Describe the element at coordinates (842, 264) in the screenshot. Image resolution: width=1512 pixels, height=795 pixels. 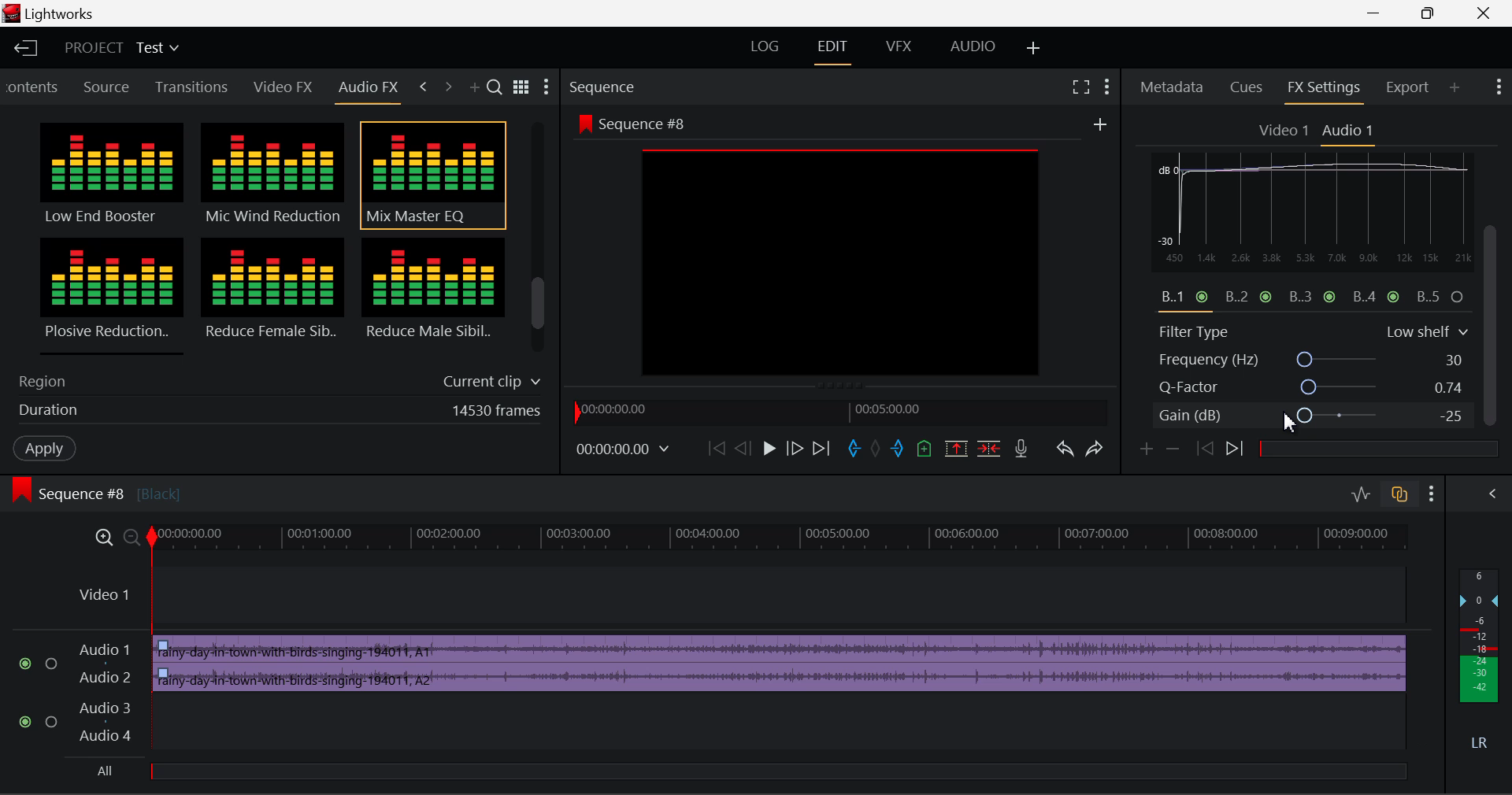
I see `preview` at that location.